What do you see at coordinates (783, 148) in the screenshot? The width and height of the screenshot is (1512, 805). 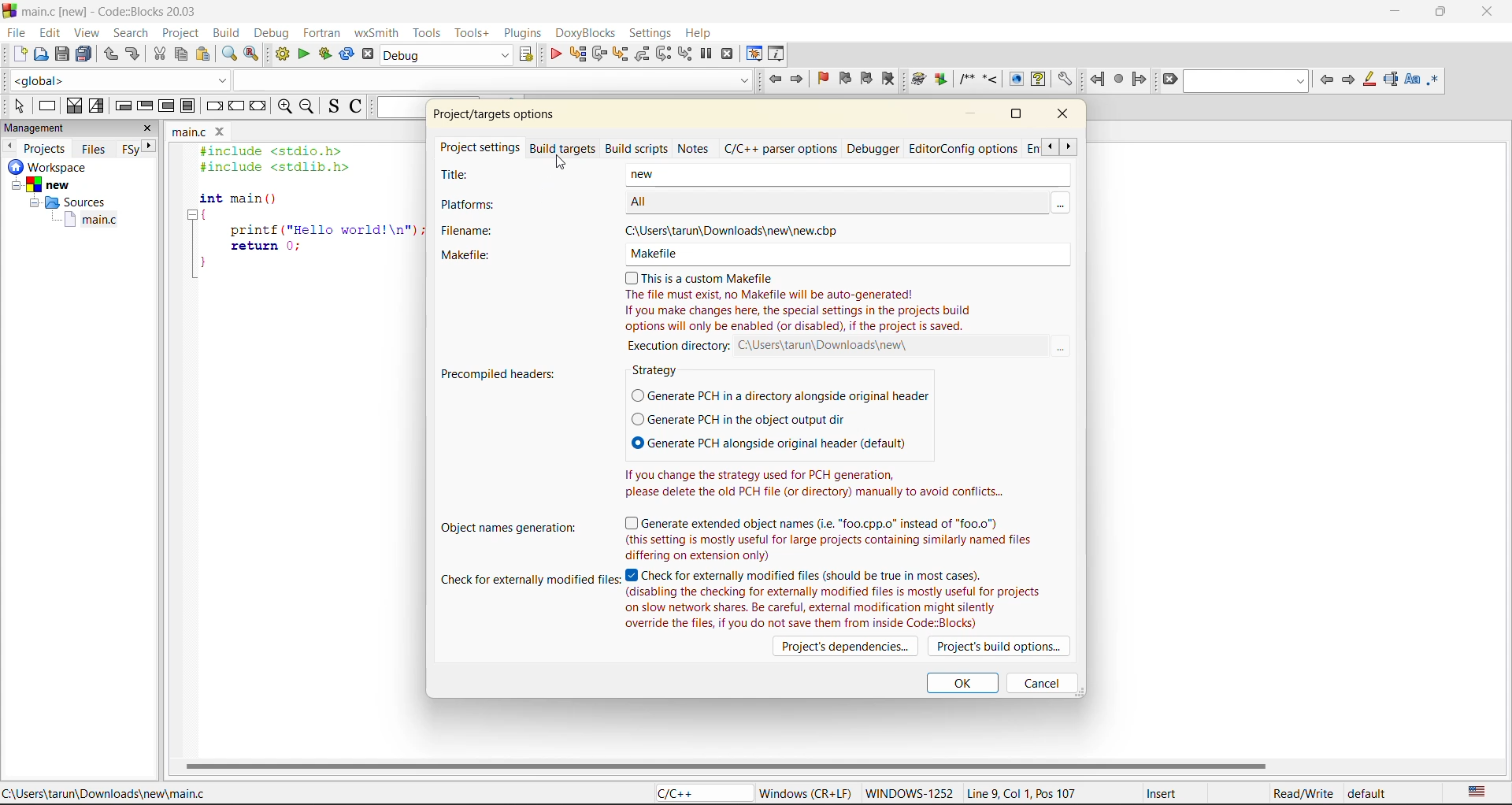 I see `c/c++ parser options` at bounding box center [783, 148].